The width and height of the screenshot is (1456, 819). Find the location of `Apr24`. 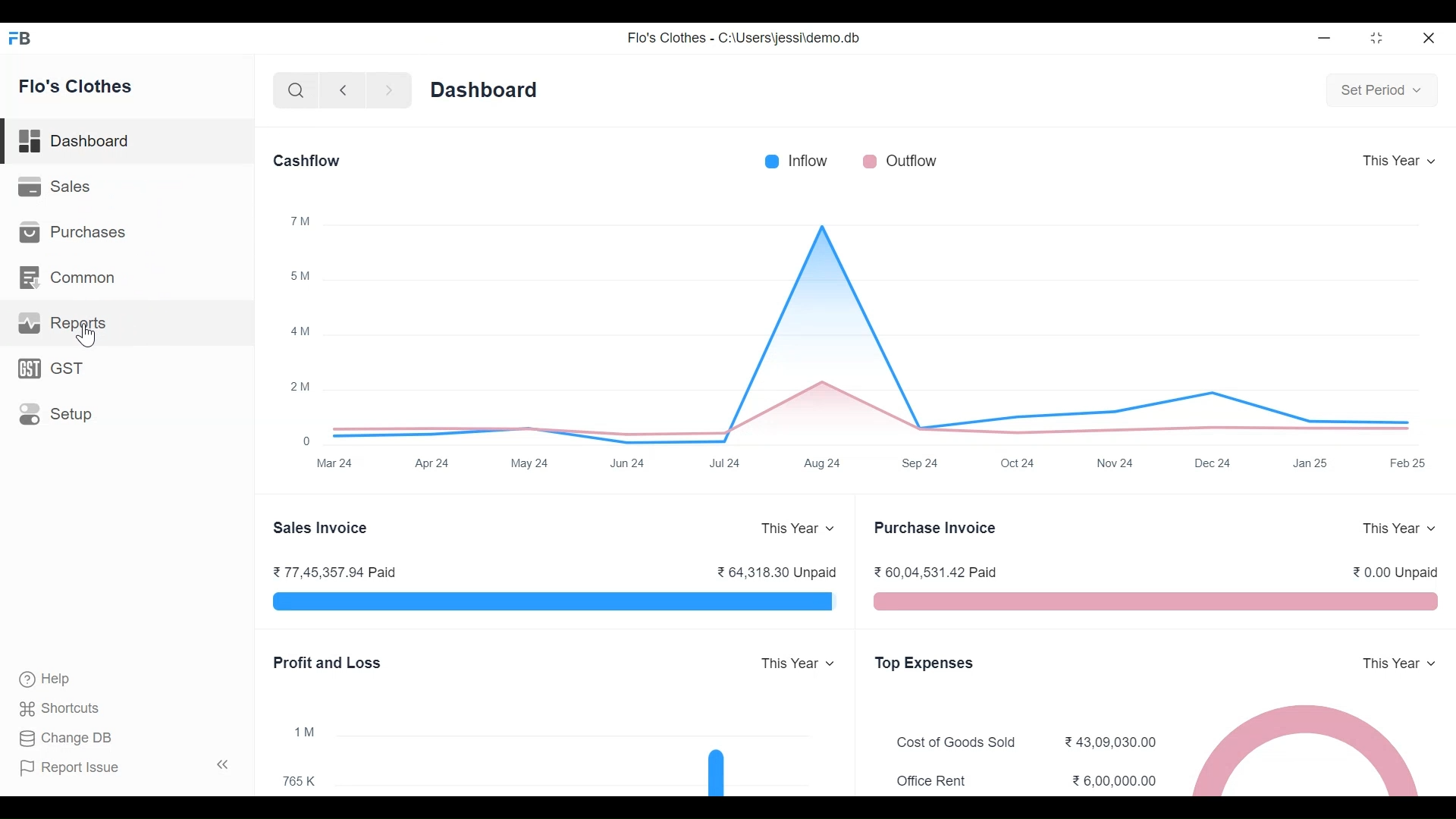

Apr24 is located at coordinates (432, 462).